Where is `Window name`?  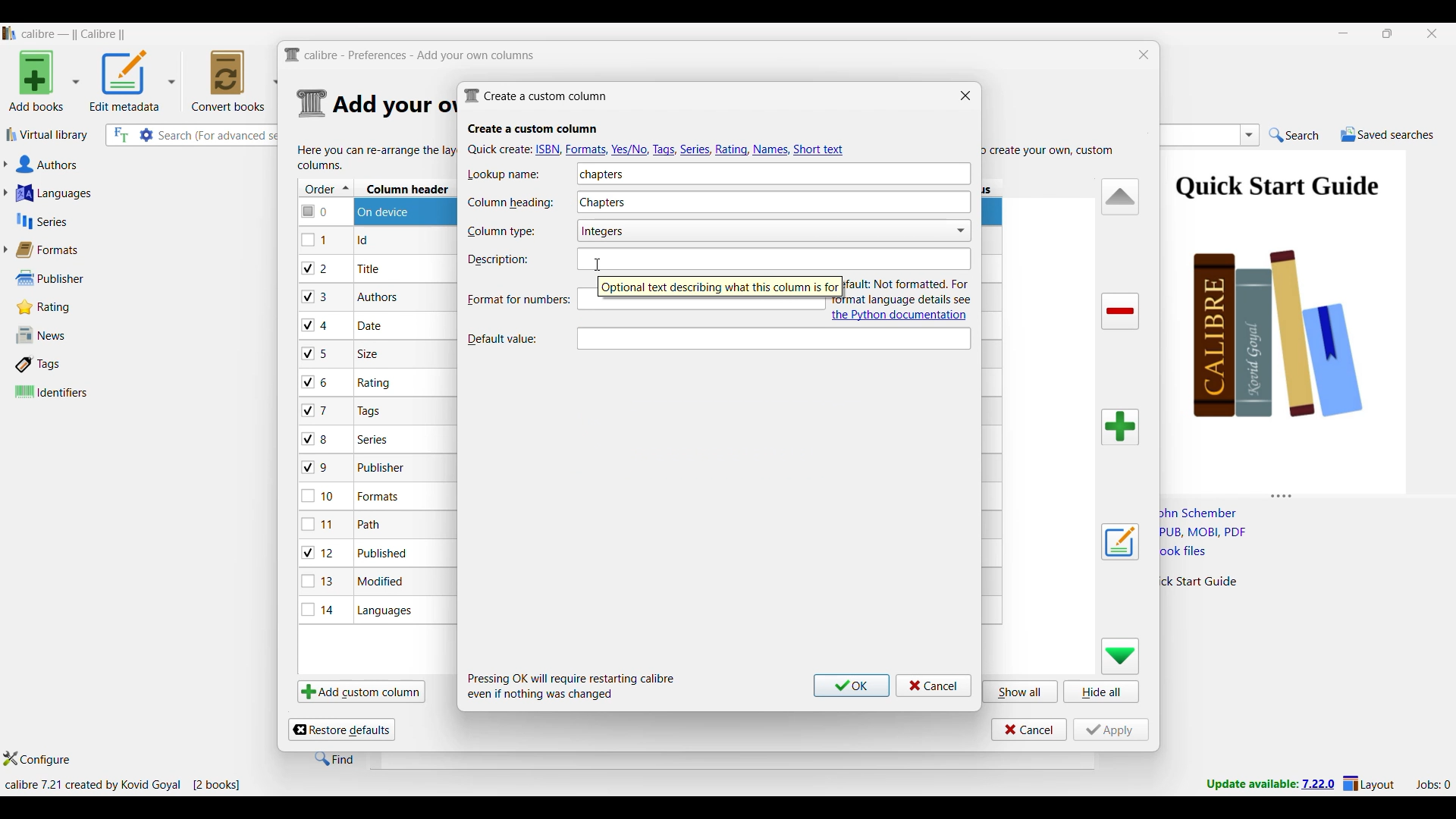 Window name is located at coordinates (535, 96).